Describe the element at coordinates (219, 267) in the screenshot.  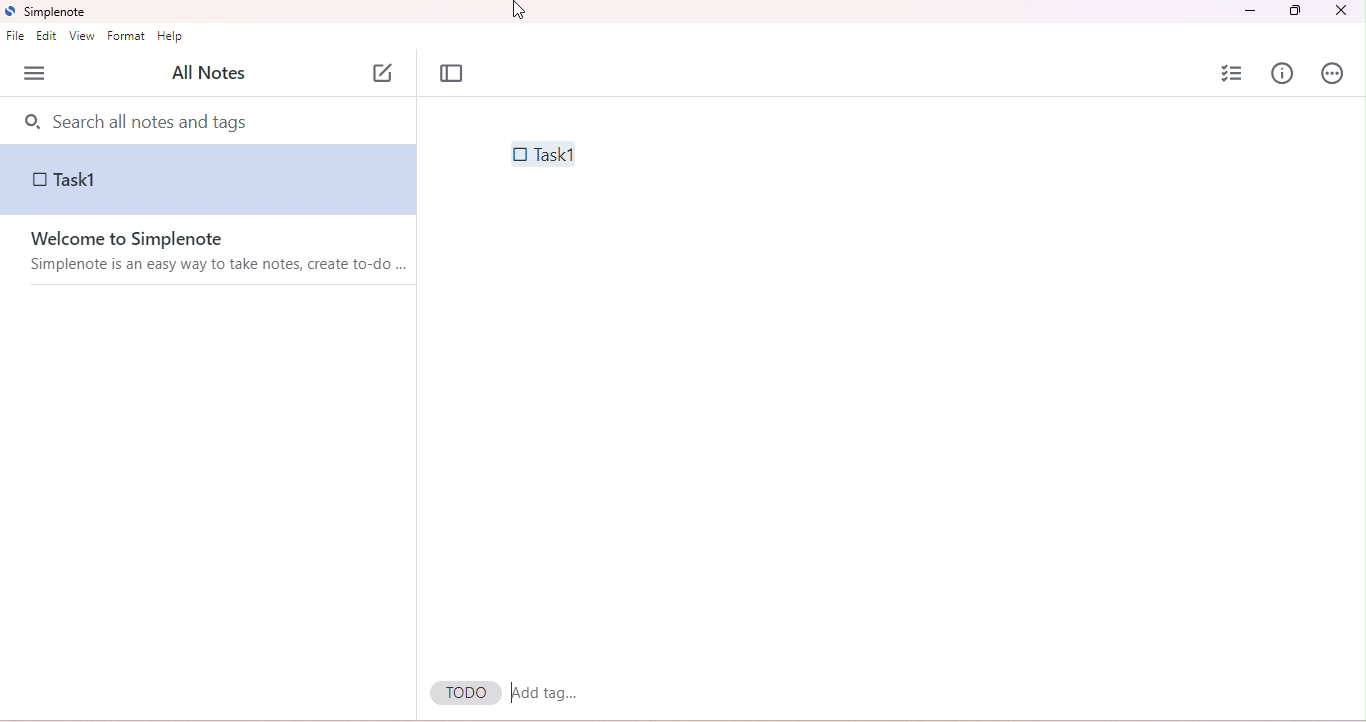
I see `simplenote is an easy way to take notes,create to do` at that location.